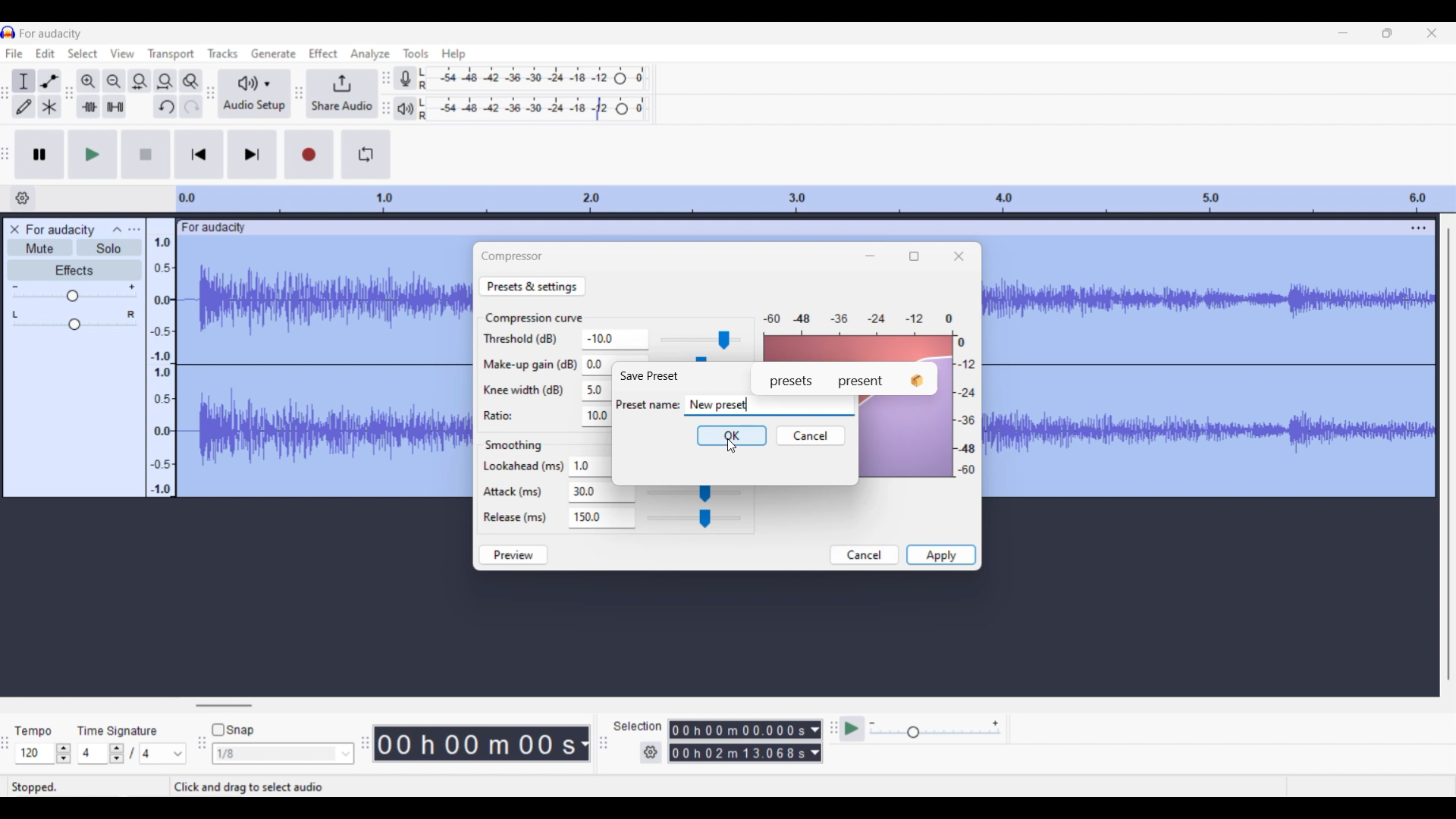 The width and height of the screenshot is (1456, 819). Describe the element at coordinates (122, 53) in the screenshot. I see `View` at that location.